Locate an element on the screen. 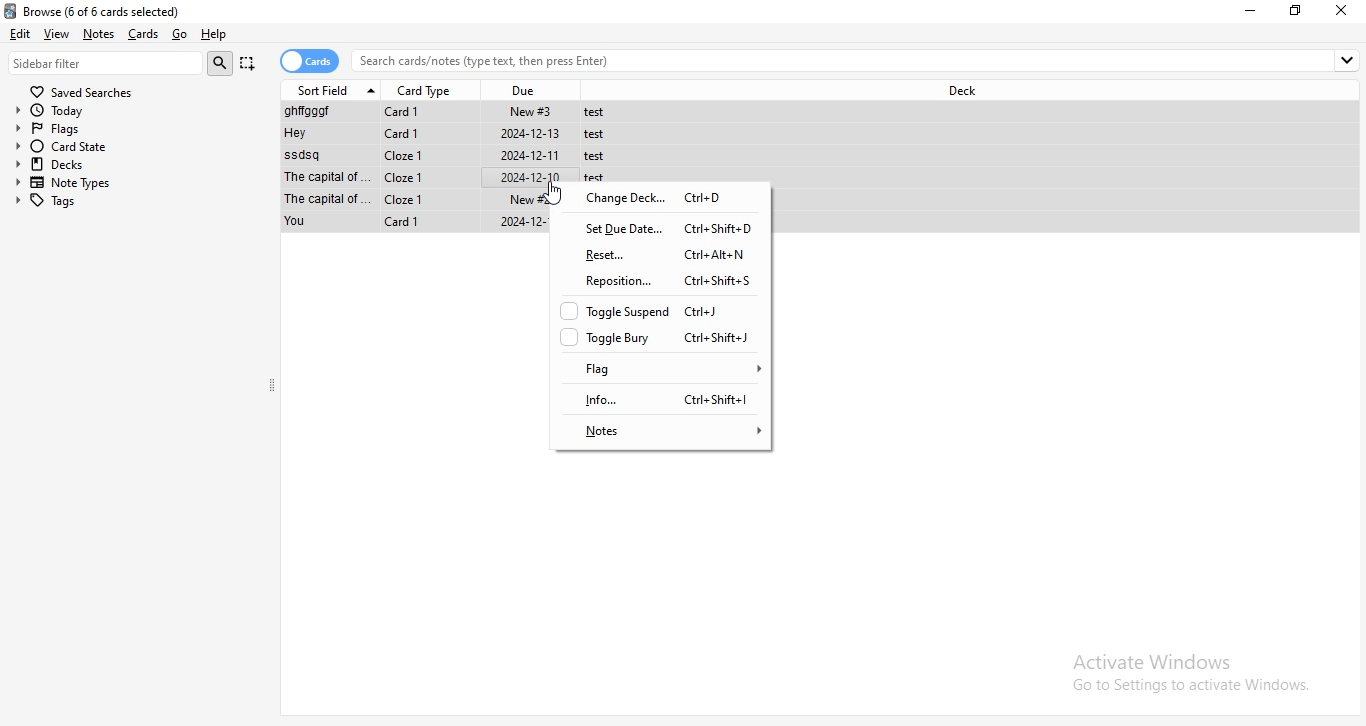  File is located at coordinates (456, 156).